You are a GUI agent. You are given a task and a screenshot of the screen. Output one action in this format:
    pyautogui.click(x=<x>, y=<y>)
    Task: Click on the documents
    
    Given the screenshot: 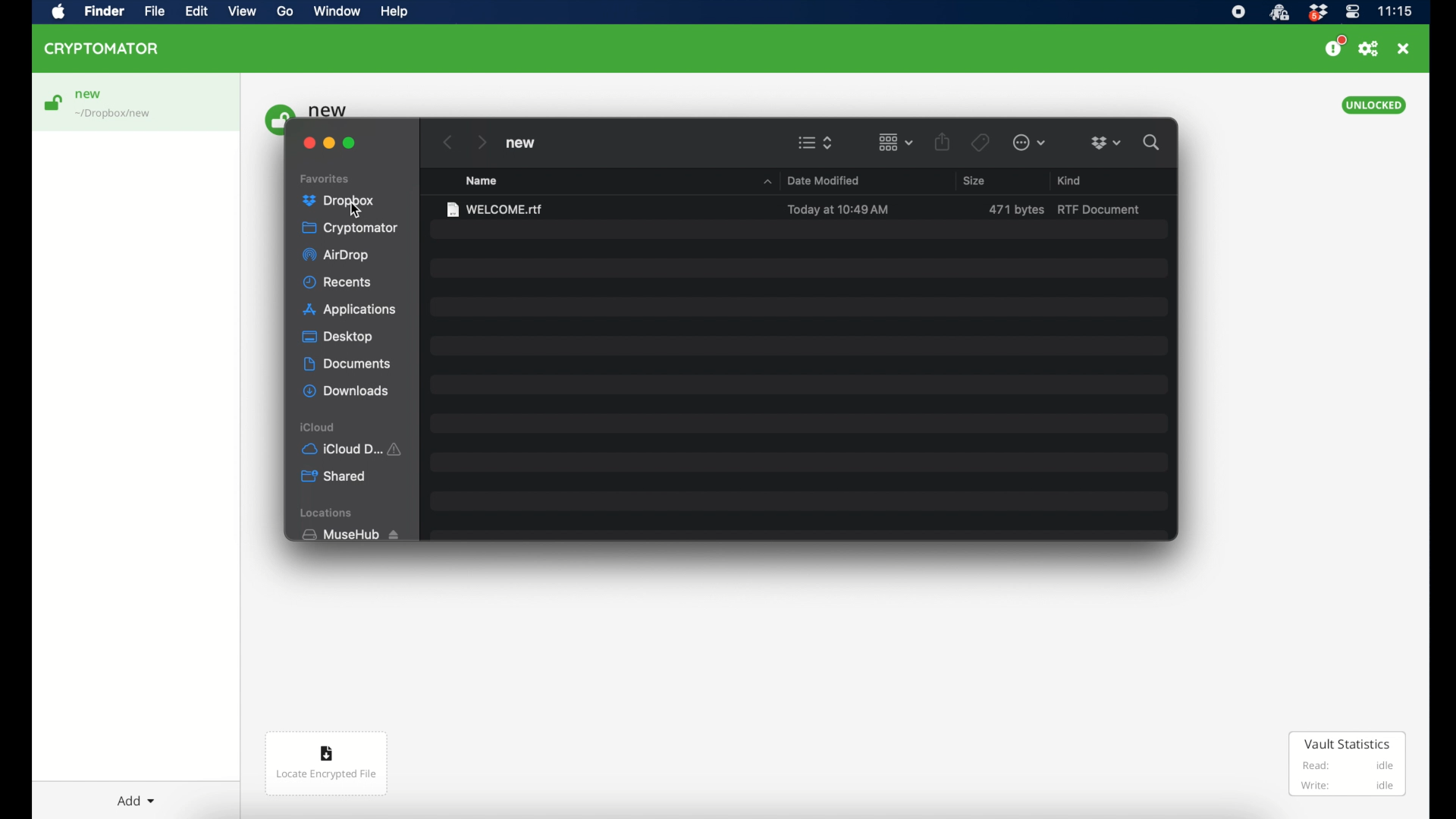 What is the action you would take?
    pyautogui.click(x=347, y=364)
    